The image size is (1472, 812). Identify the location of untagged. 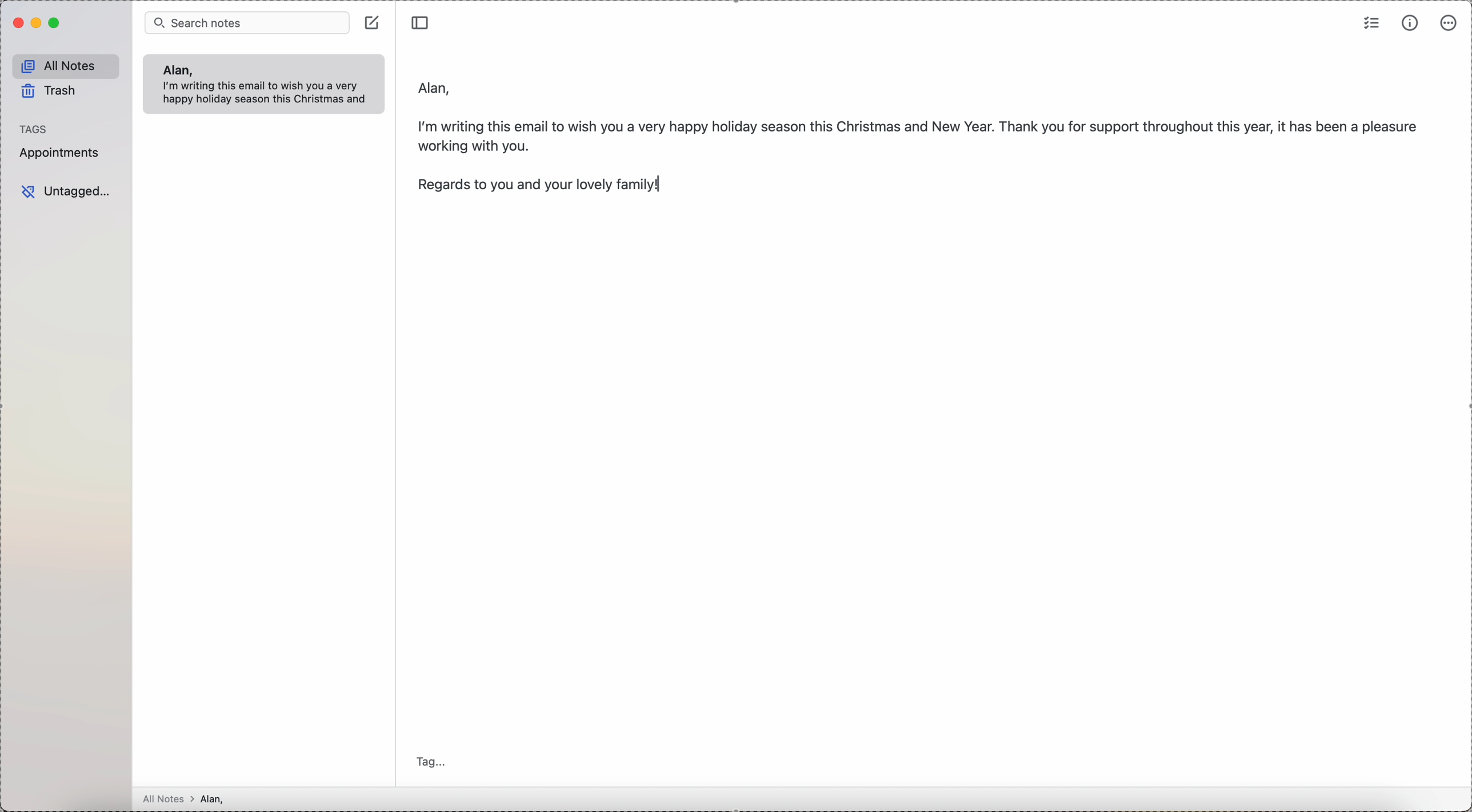
(66, 192).